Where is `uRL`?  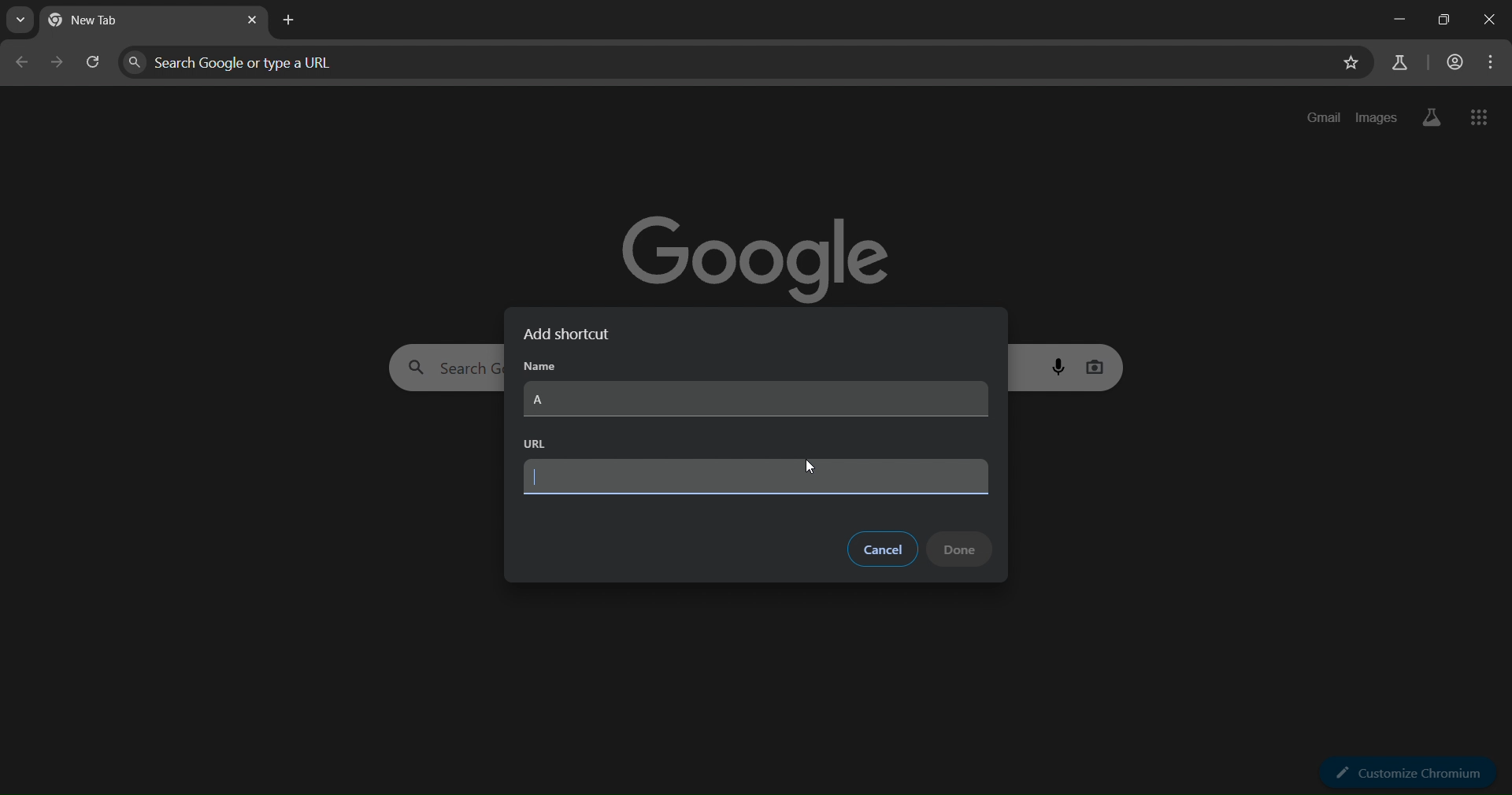 uRL is located at coordinates (532, 443).